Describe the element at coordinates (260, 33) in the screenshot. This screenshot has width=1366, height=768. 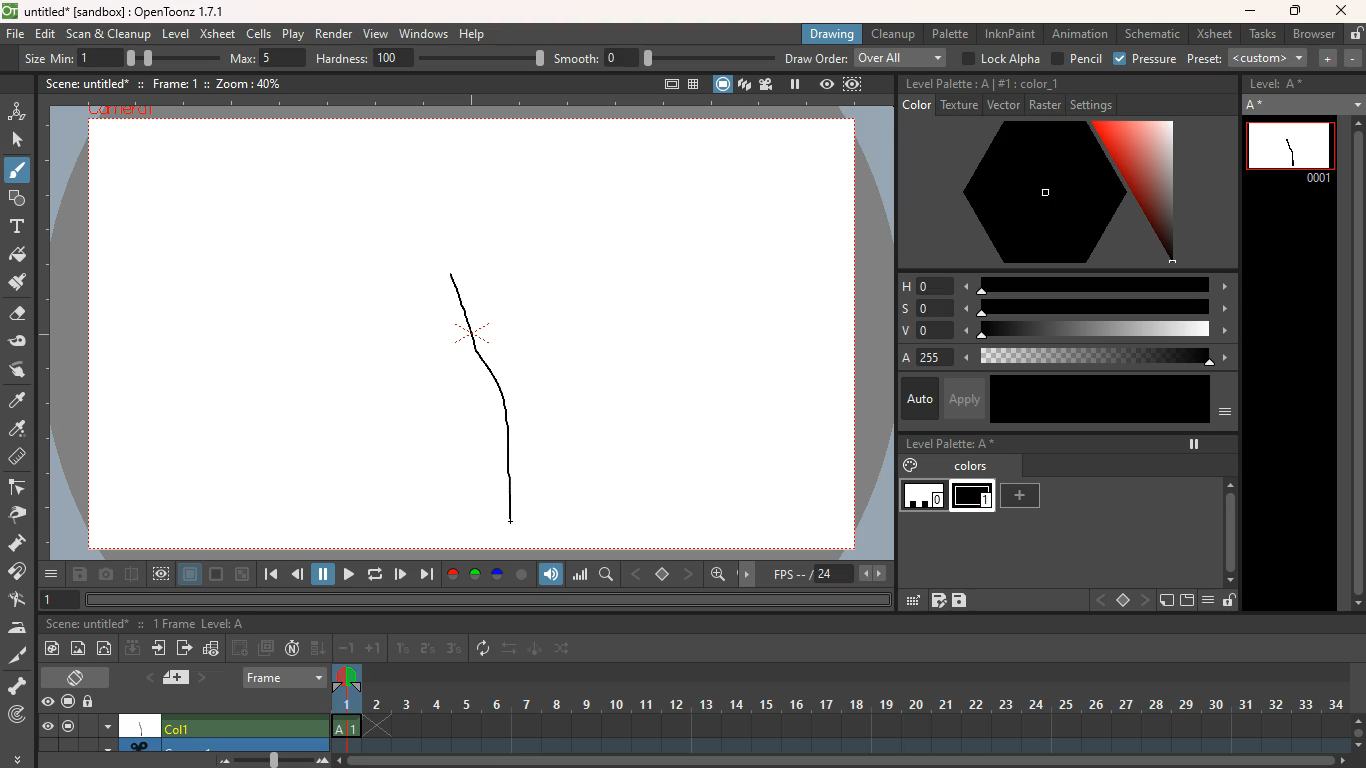
I see `cells` at that location.